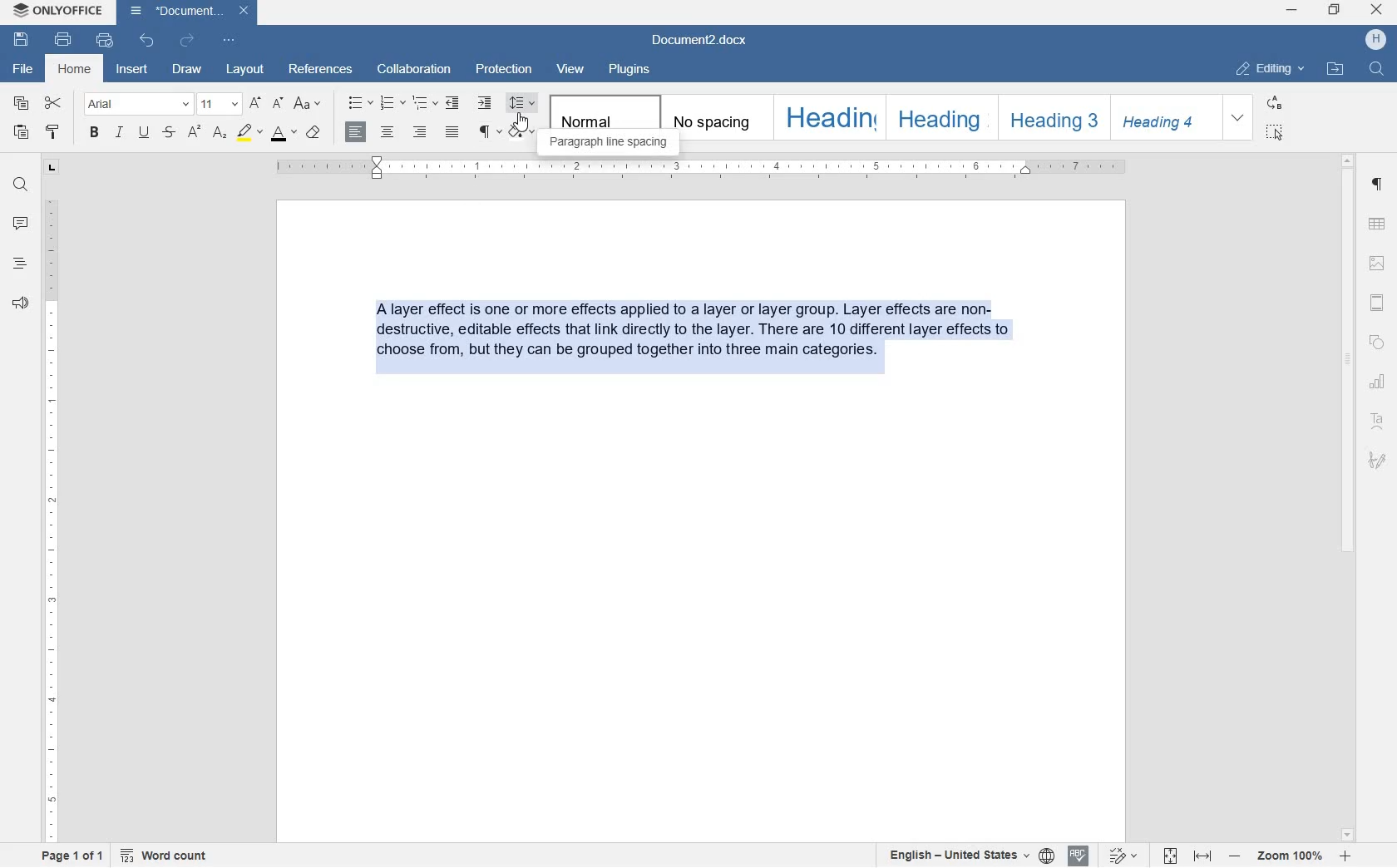 The width and height of the screenshot is (1397, 868). Describe the element at coordinates (254, 103) in the screenshot. I see `increment font size` at that location.